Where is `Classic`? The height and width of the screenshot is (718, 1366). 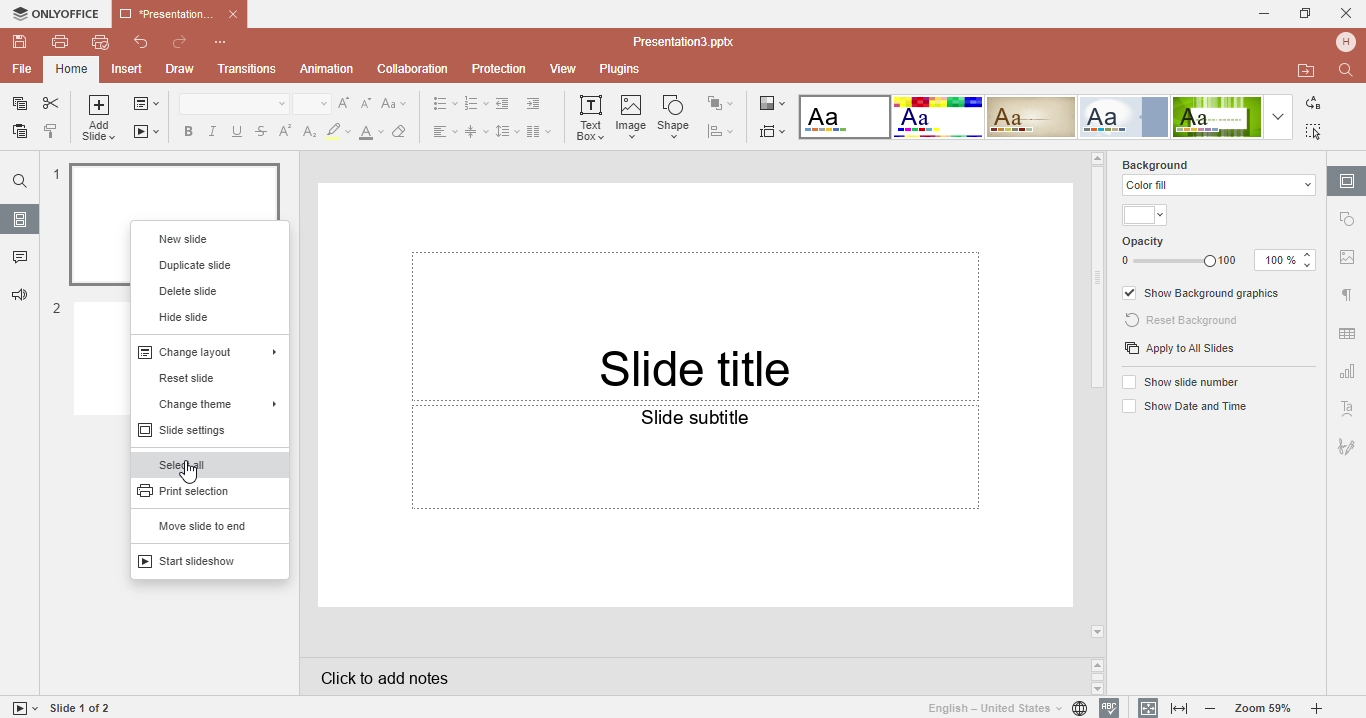 Classic is located at coordinates (1032, 117).